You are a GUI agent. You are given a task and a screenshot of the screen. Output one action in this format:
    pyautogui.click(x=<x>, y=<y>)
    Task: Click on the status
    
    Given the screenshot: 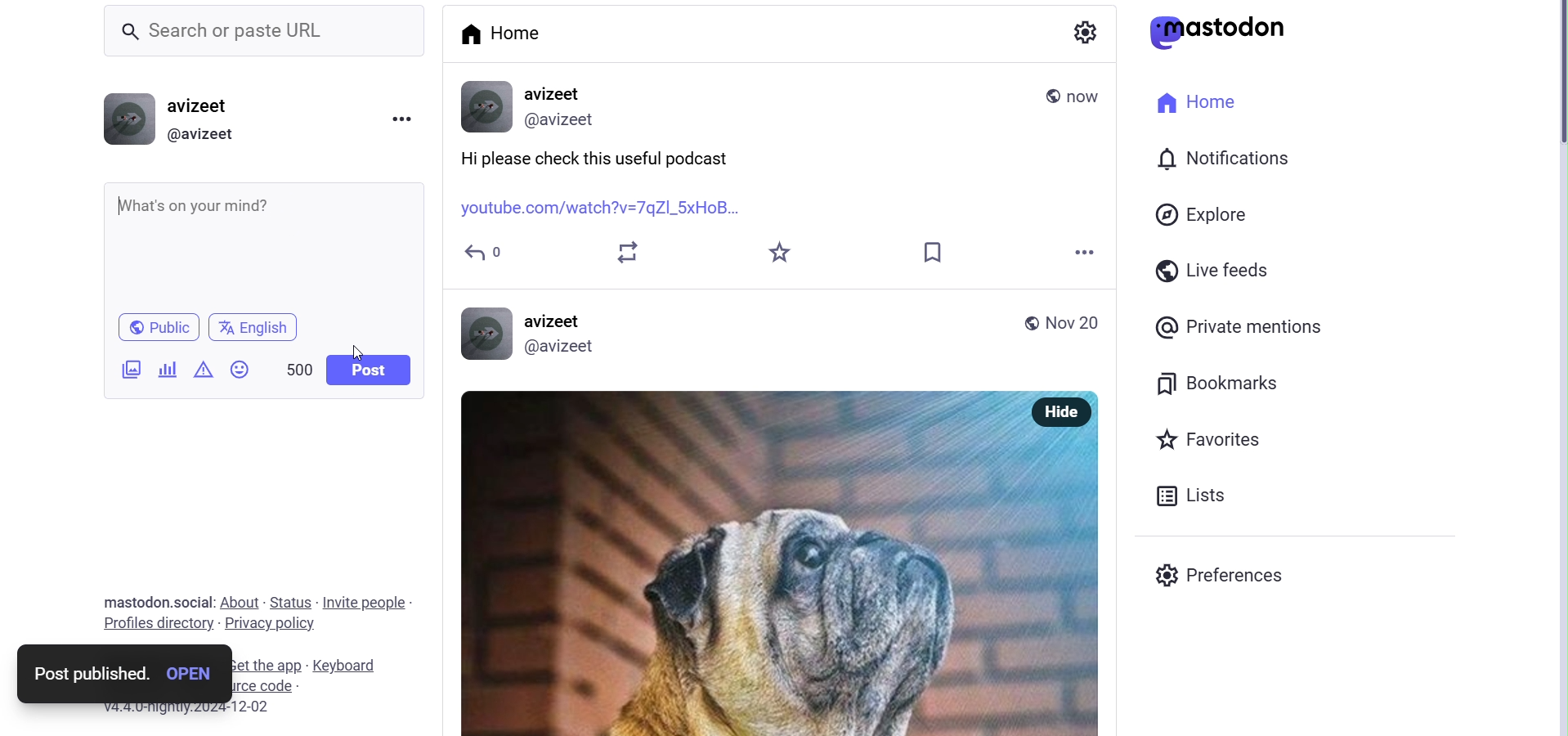 What is the action you would take?
    pyautogui.click(x=291, y=600)
    